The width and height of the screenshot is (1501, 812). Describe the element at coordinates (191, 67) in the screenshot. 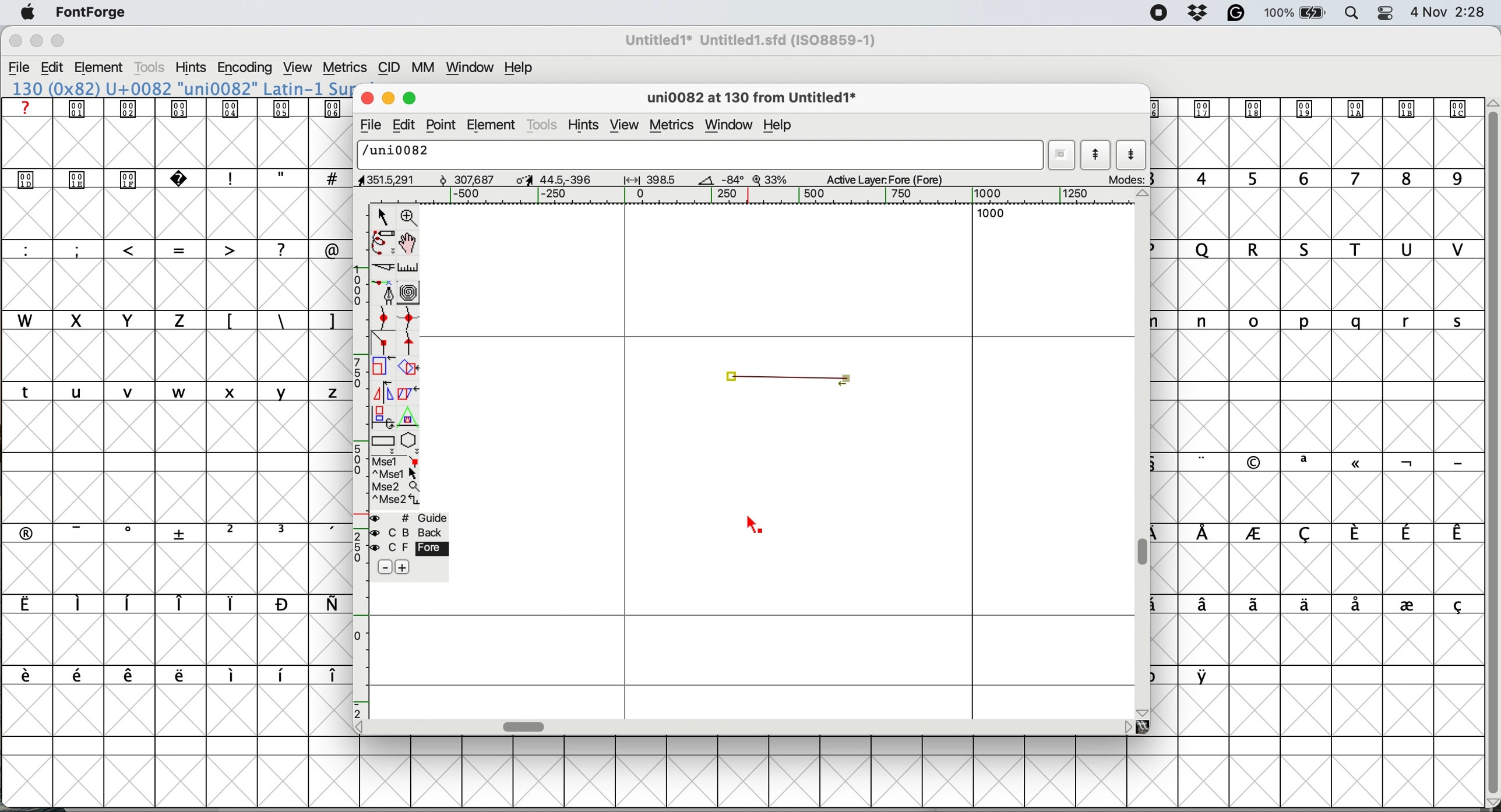

I see `hints` at that location.